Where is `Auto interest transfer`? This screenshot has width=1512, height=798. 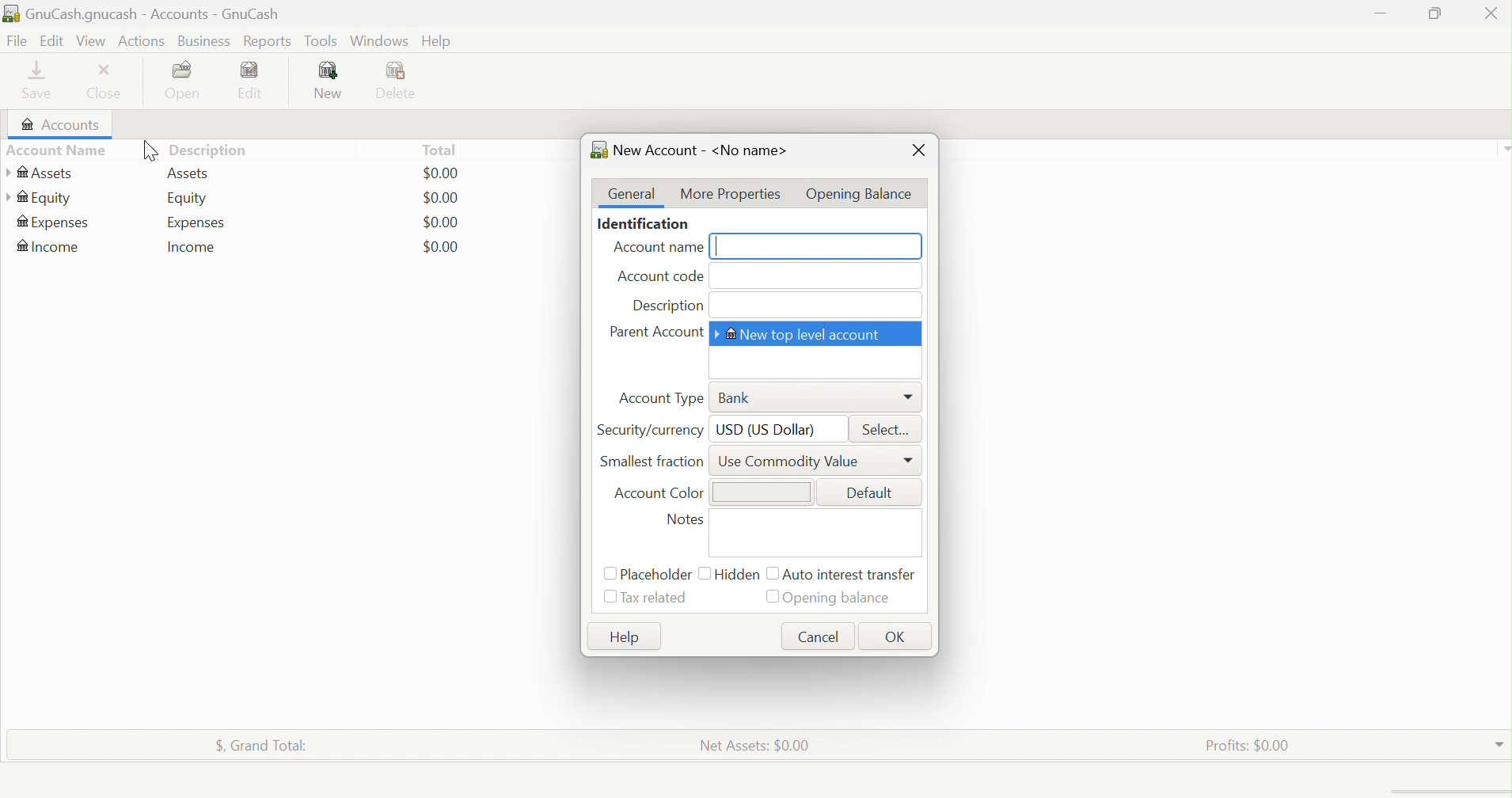 Auto interest transfer is located at coordinates (852, 575).